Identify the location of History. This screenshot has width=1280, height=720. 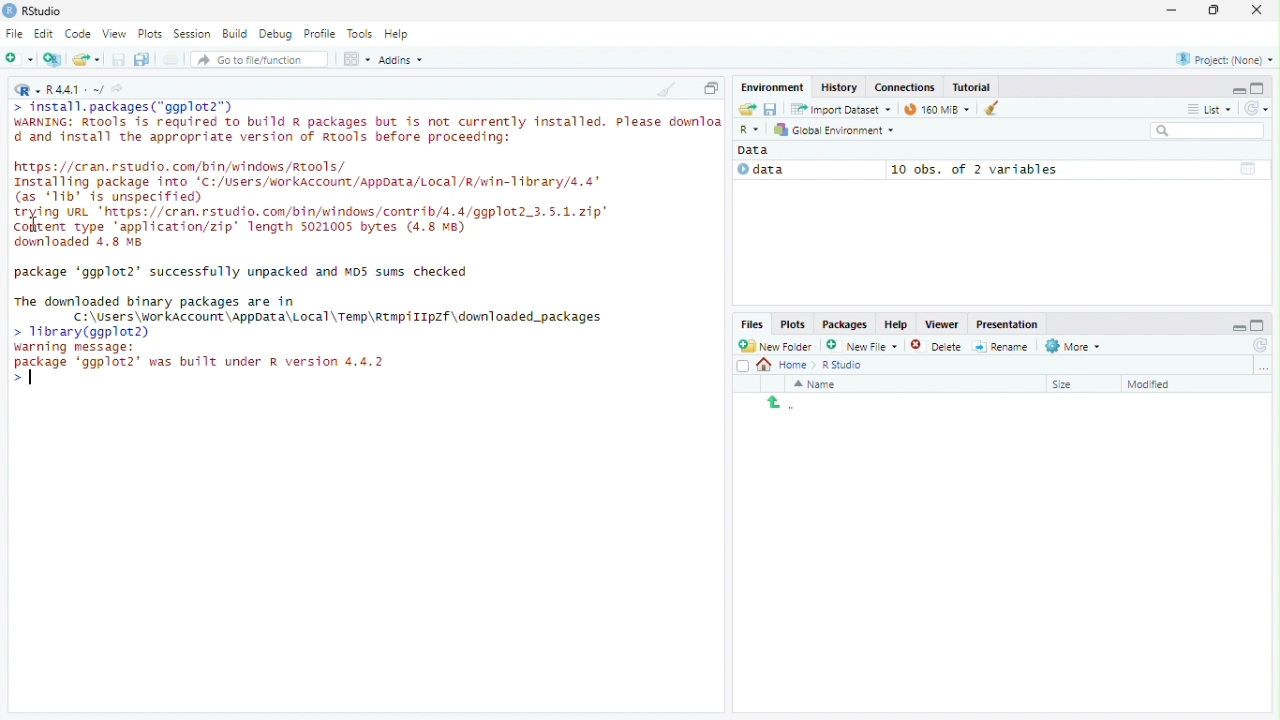
(837, 87).